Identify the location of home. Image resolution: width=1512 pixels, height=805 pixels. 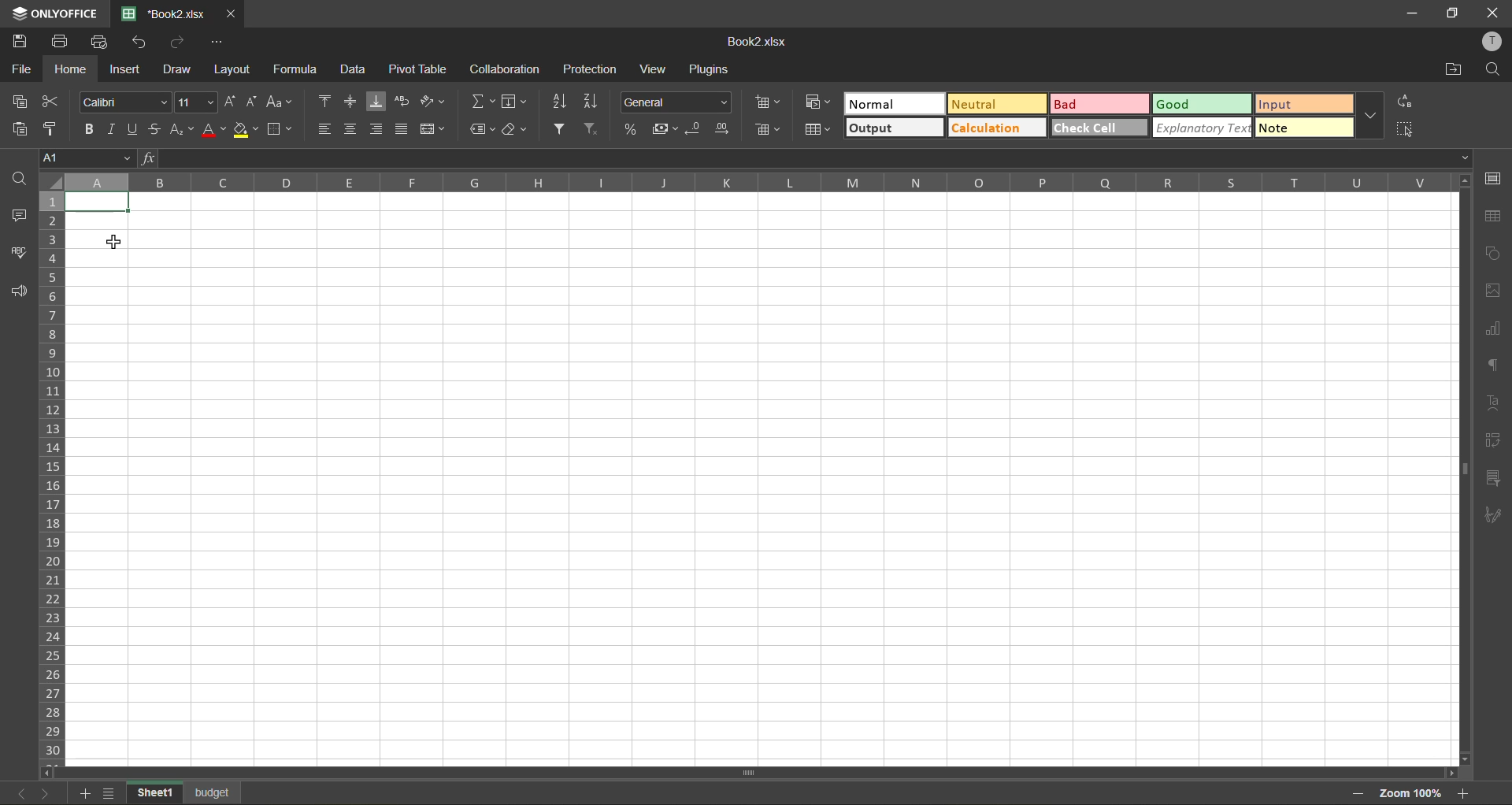
(72, 68).